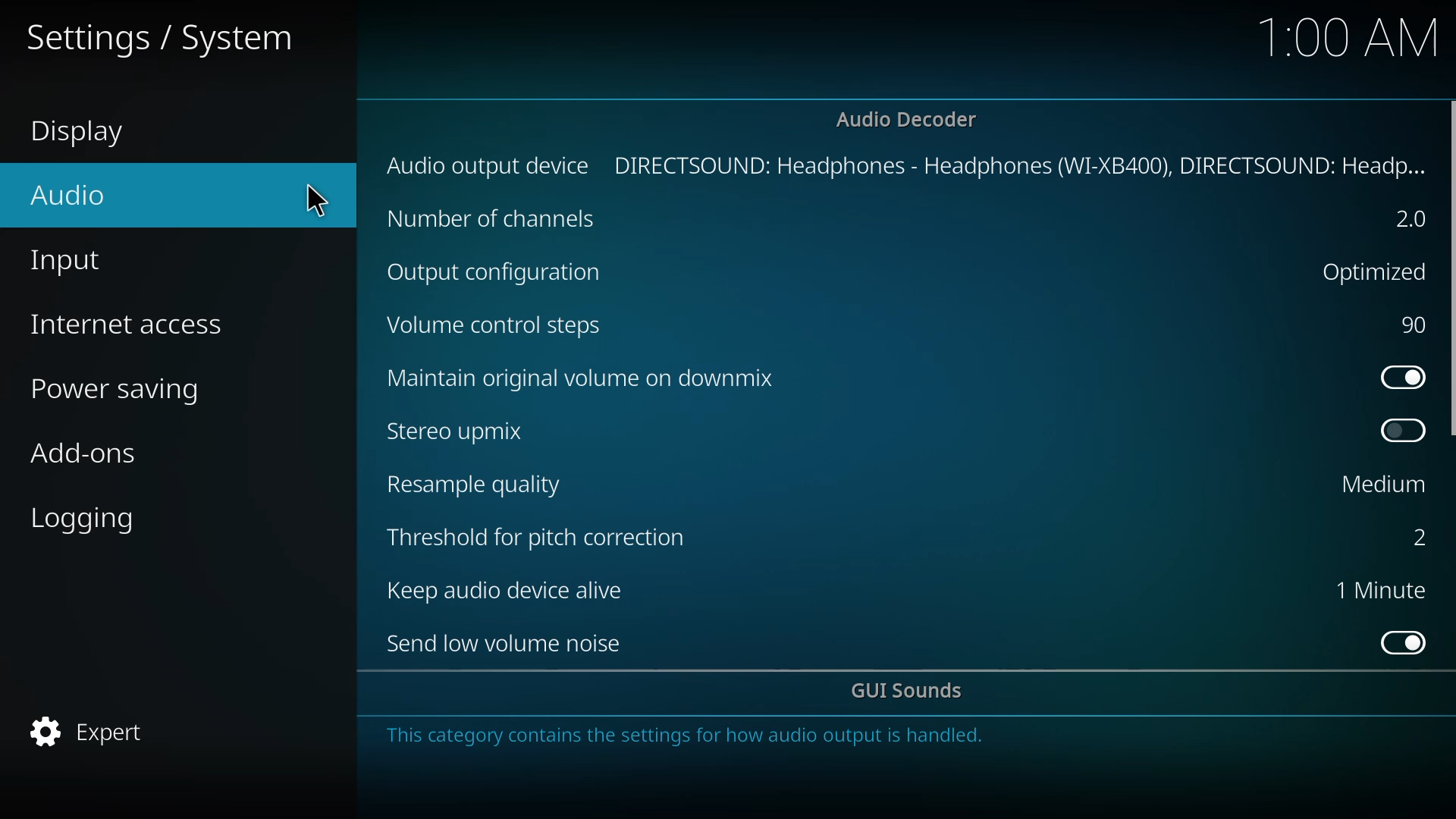  Describe the element at coordinates (475, 486) in the screenshot. I see `resample quality` at that location.